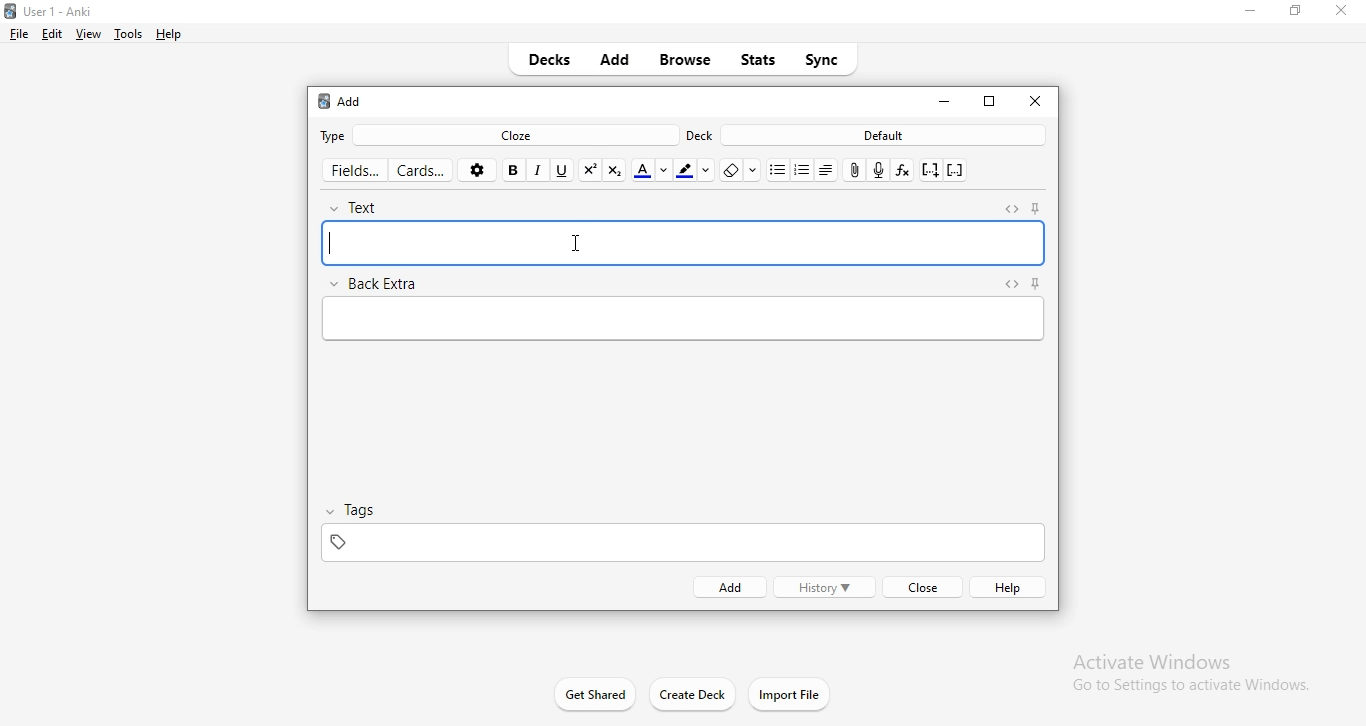 The height and width of the screenshot is (726, 1366). Describe the element at coordinates (617, 62) in the screenshot. I see `add` at that location.